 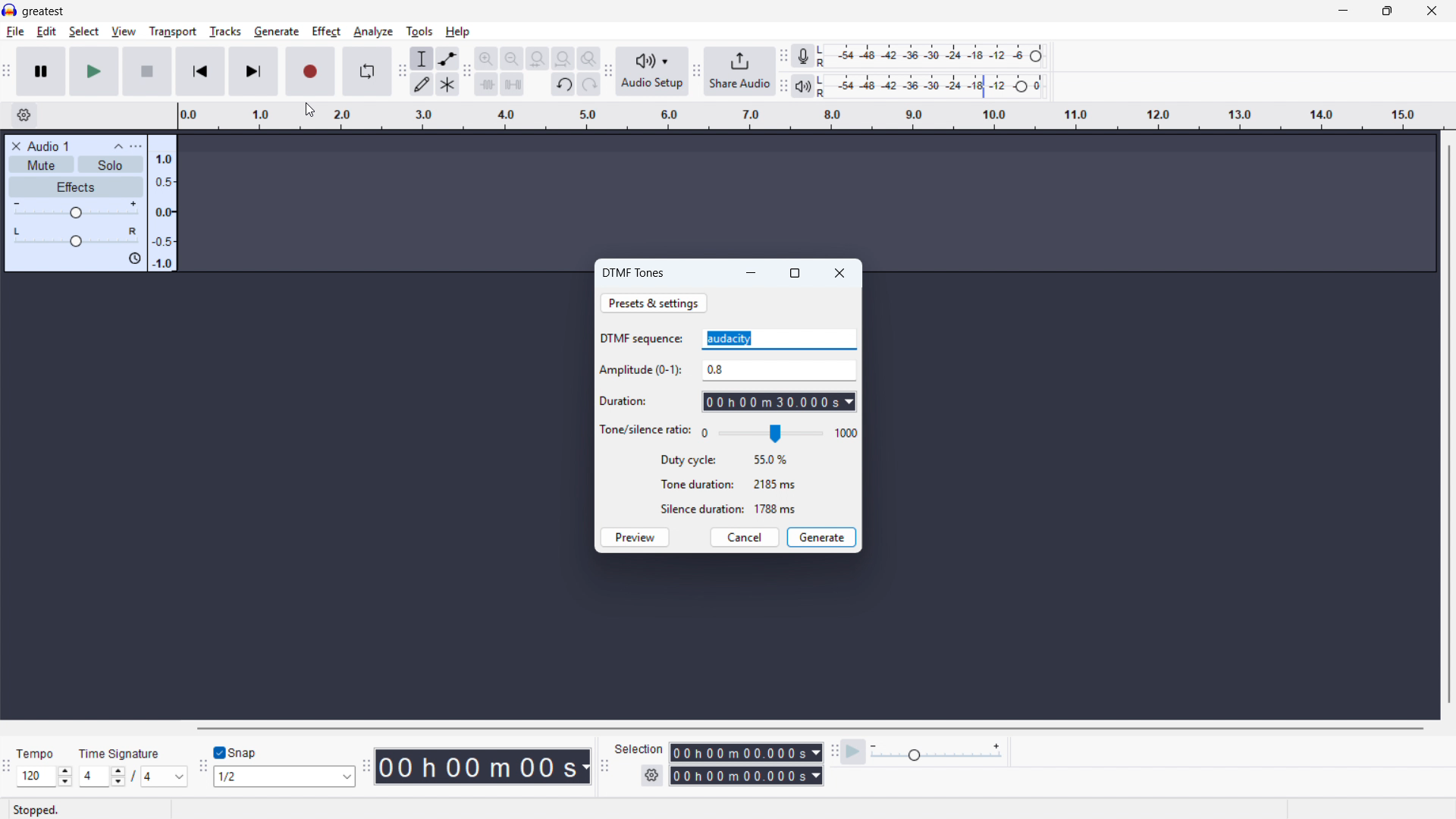 What do you see at coordinates (123, 31) in the screenshot?
I see `view` at bounding box center [123, 31].